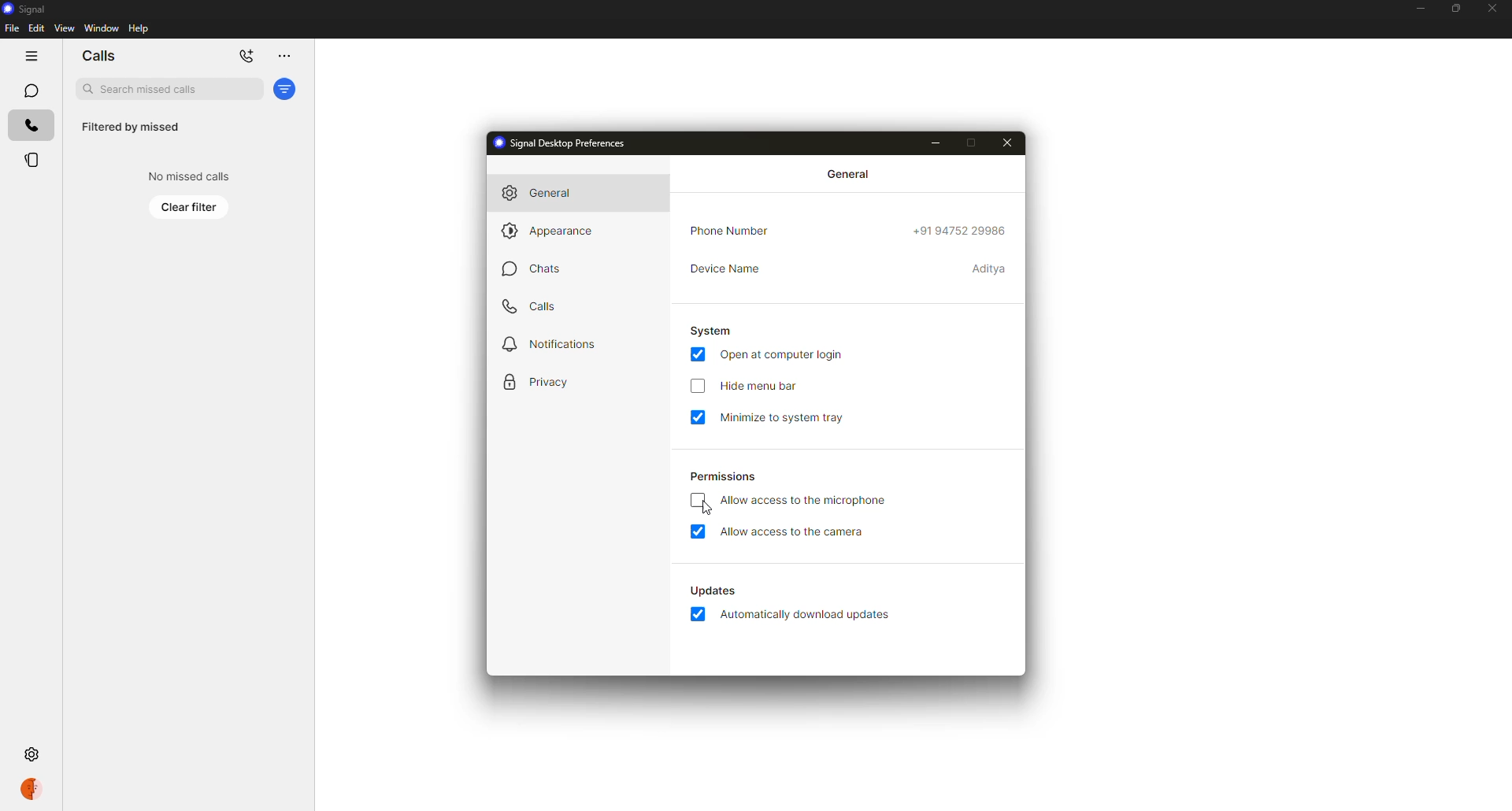 The width and height of the screenshot is (1512, 811). Describe the element at coordinates (534, 268) in the screenshot. I see `chats` at that location.